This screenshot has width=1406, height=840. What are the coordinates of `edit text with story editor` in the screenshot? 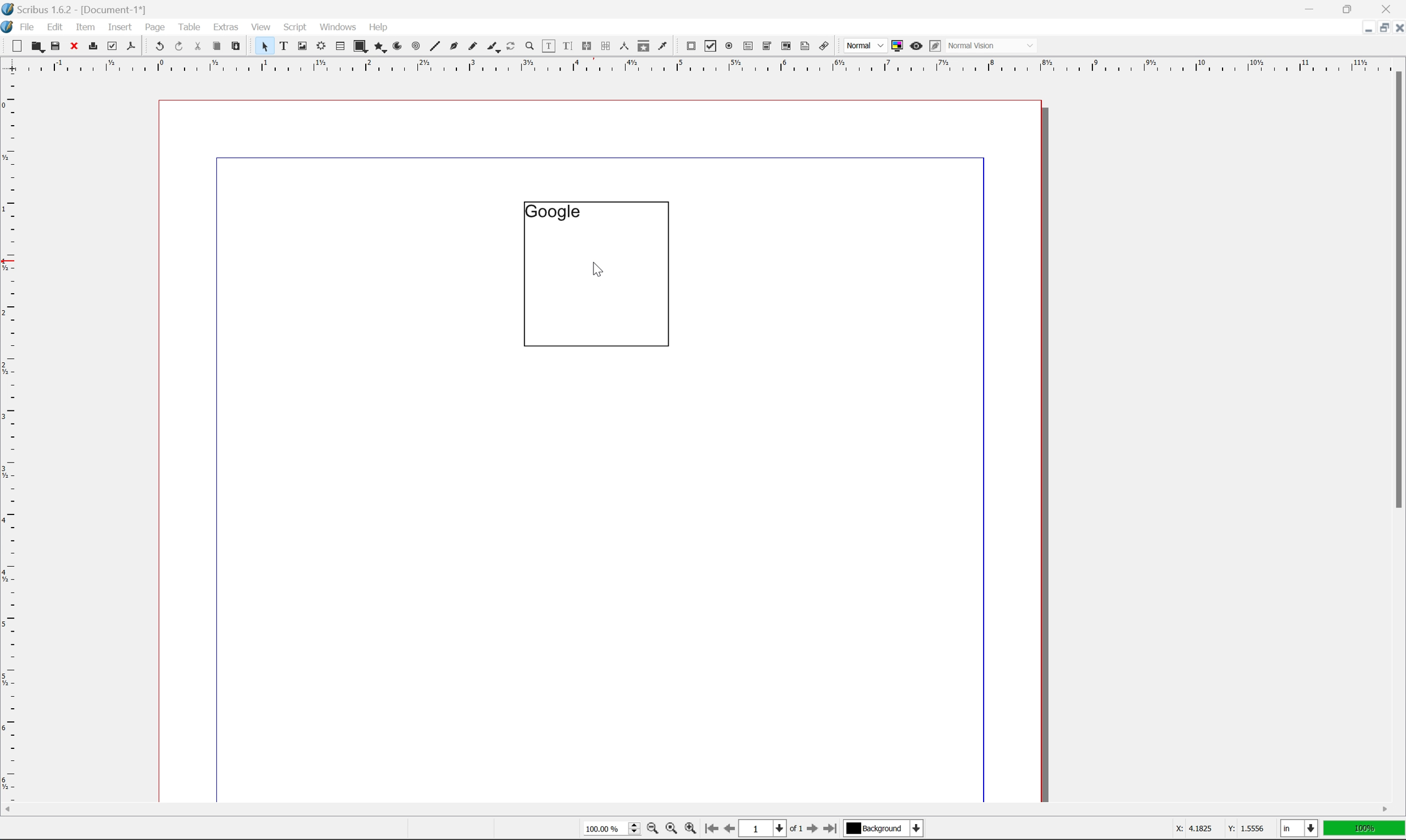 It's located at (565, 45).